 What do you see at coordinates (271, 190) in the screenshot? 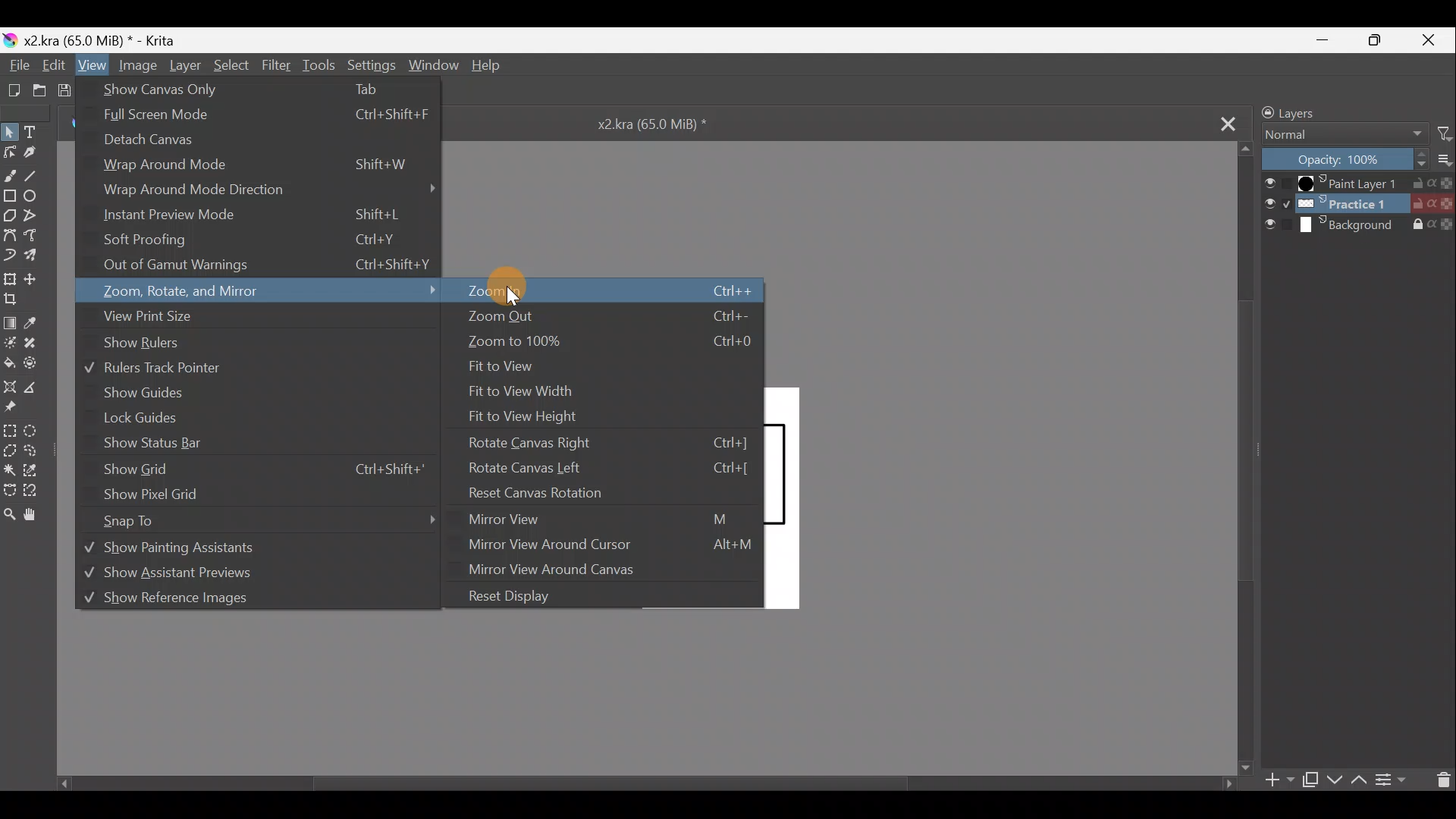
I see `Wrap around mode direction` at bounding box center [271, 190].